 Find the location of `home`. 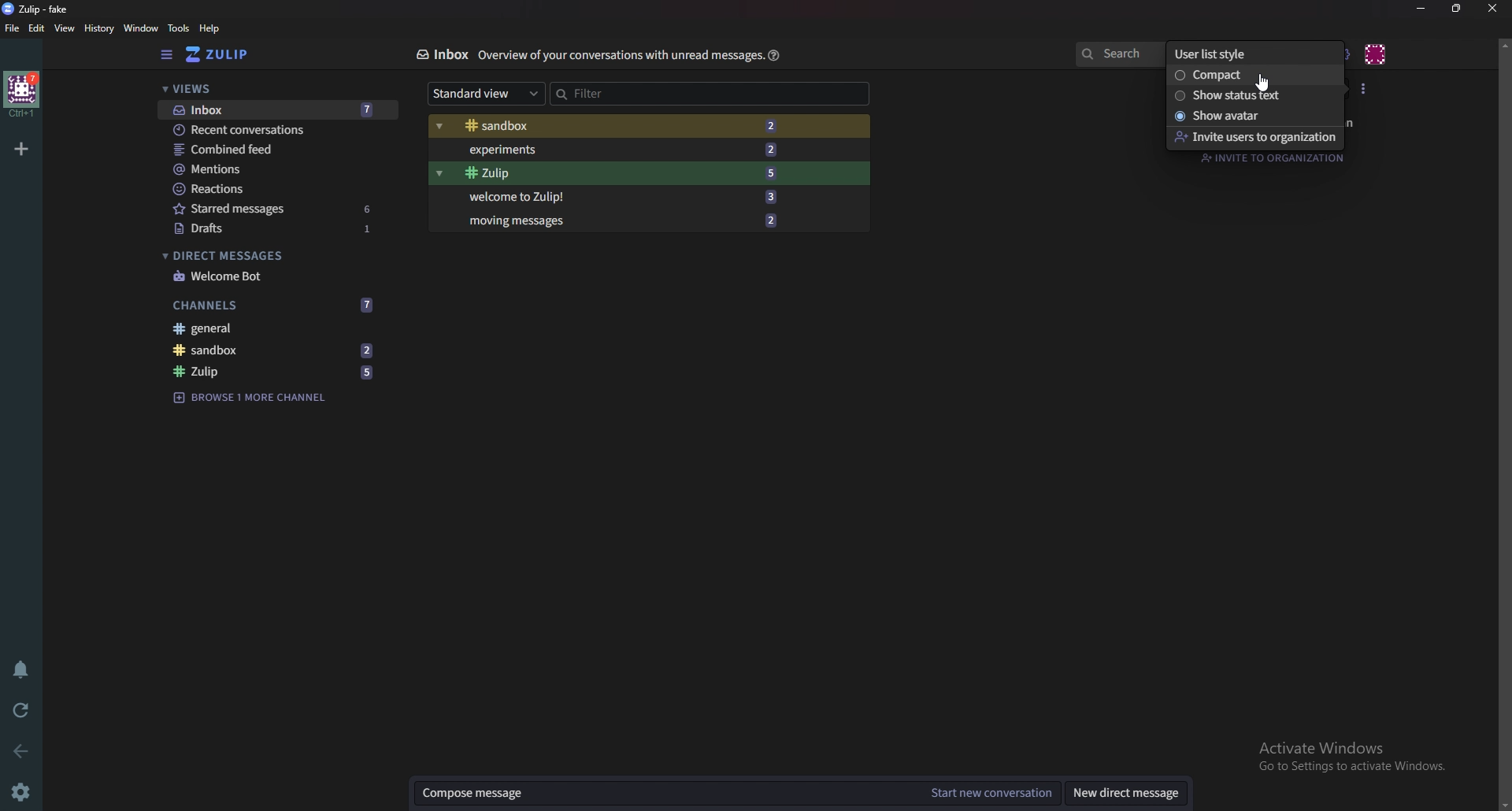

home is located at coordinates (22, 94).